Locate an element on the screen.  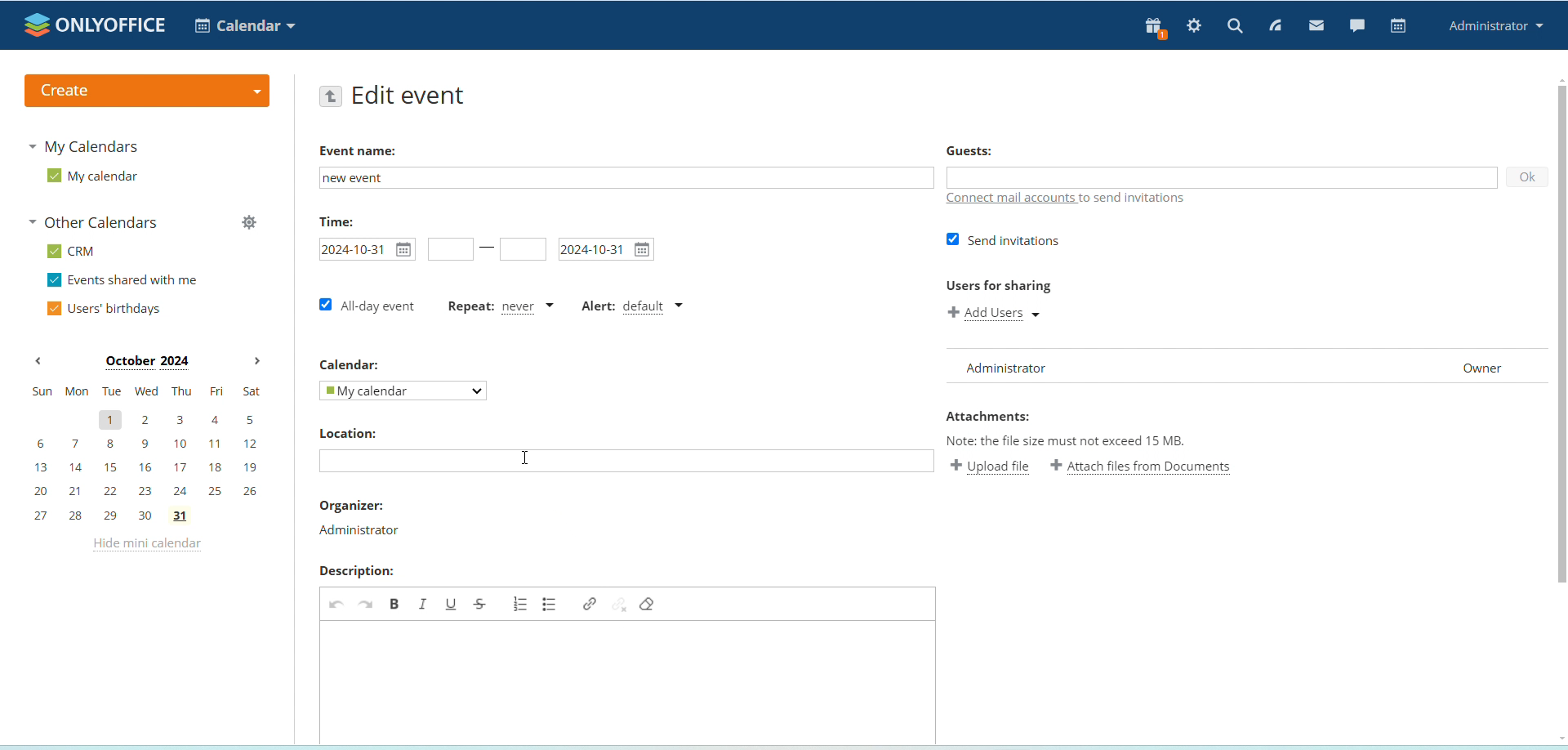
my calendars is located at coordinates (87, 145).